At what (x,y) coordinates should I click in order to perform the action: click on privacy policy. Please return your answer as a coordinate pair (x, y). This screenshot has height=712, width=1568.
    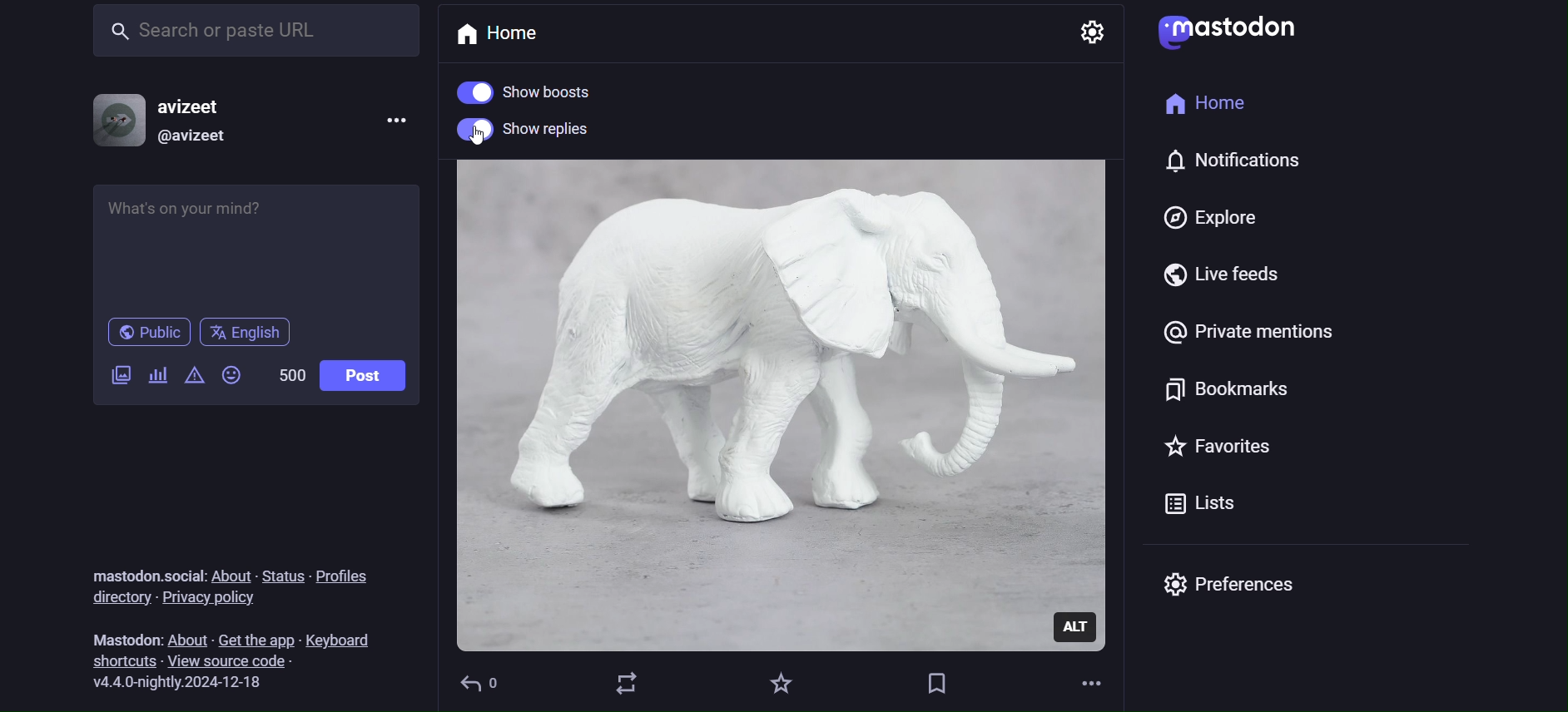
    Looking at the image, I should click on (229, 600).